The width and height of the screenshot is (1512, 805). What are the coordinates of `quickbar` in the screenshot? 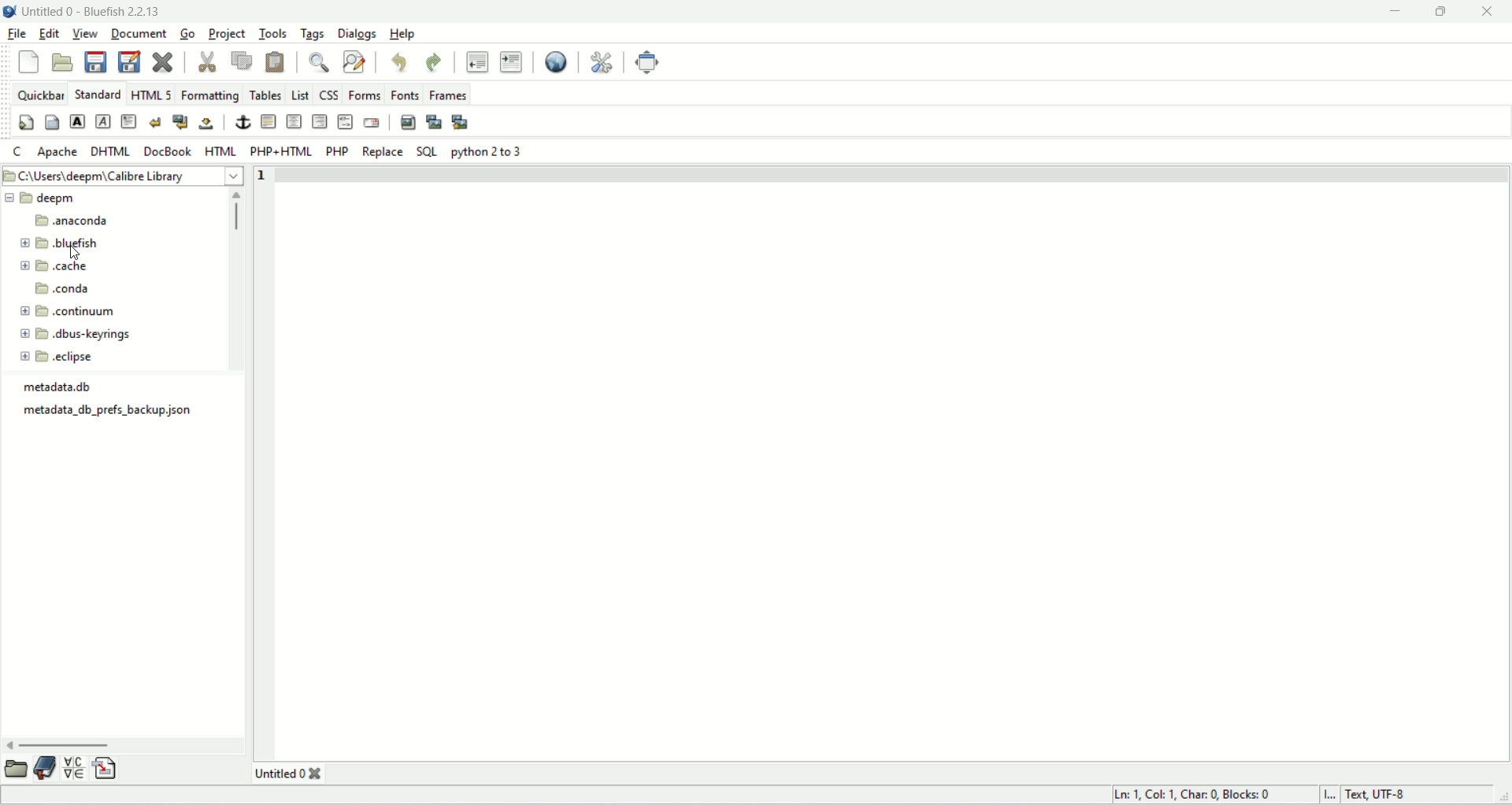 It's located at (39, 93).